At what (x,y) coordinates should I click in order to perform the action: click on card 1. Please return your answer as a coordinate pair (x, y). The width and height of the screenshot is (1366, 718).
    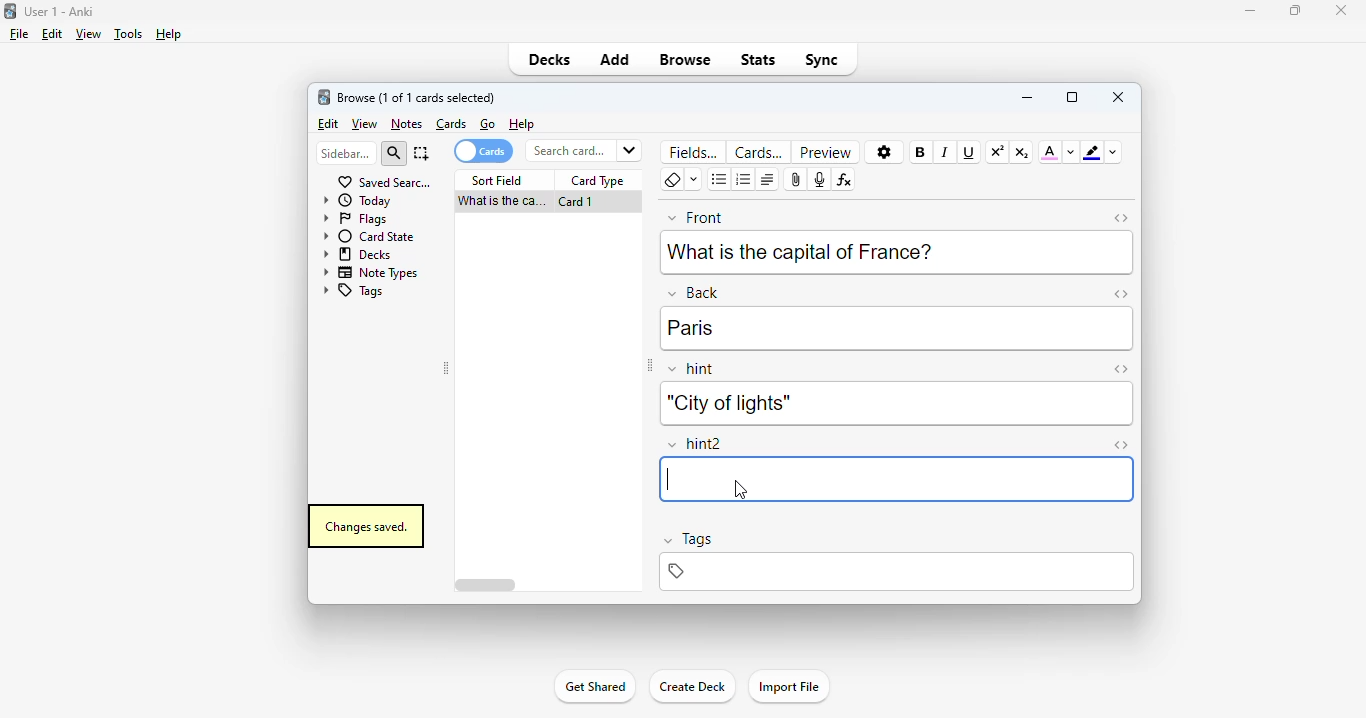
    Looking at the image, I should click on (576, 202).